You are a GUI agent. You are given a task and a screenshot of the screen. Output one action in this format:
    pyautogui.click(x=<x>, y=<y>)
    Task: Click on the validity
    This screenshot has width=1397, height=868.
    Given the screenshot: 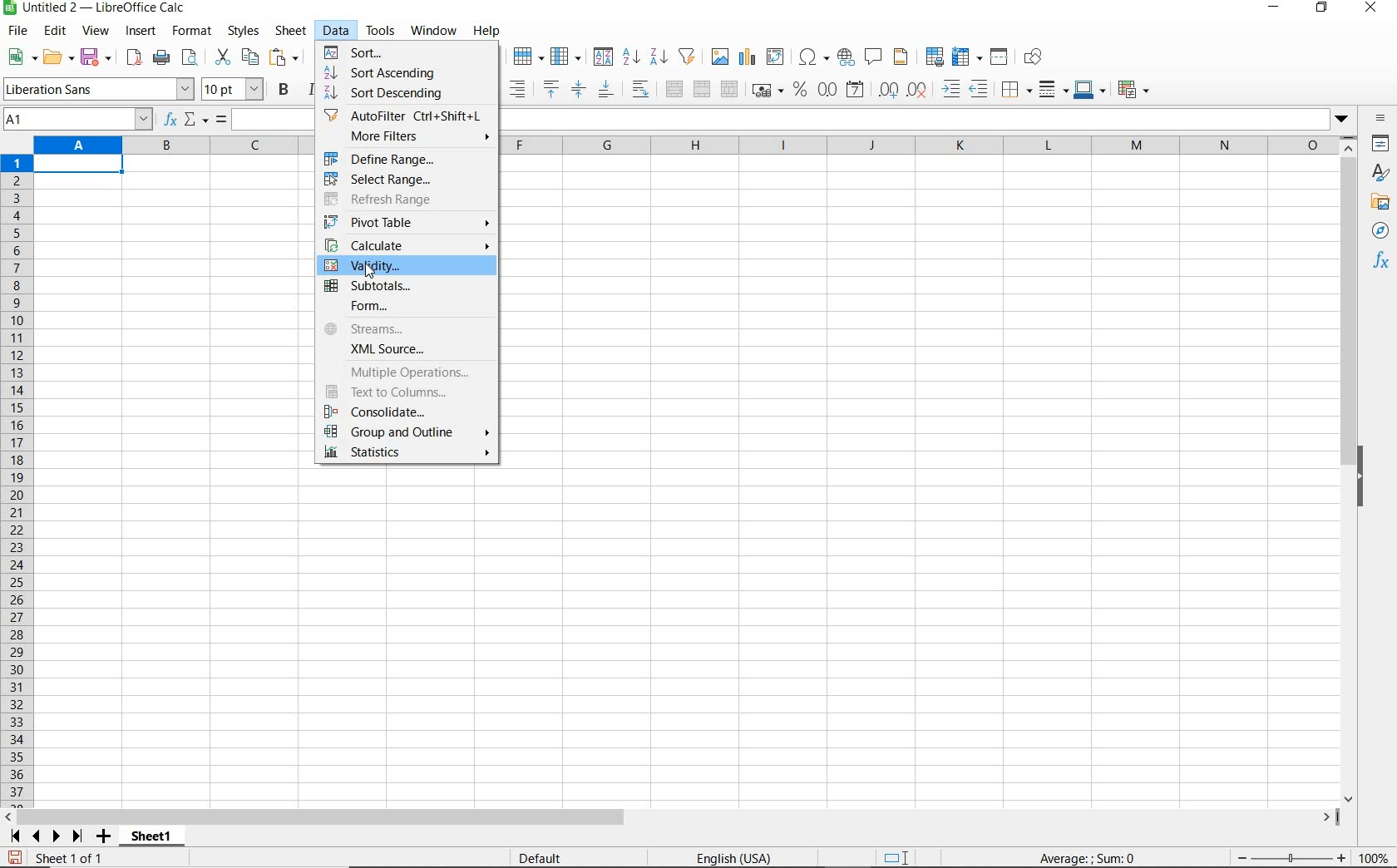 What is the action you would take?
    pyautogui.click(x=403, y=267)
    